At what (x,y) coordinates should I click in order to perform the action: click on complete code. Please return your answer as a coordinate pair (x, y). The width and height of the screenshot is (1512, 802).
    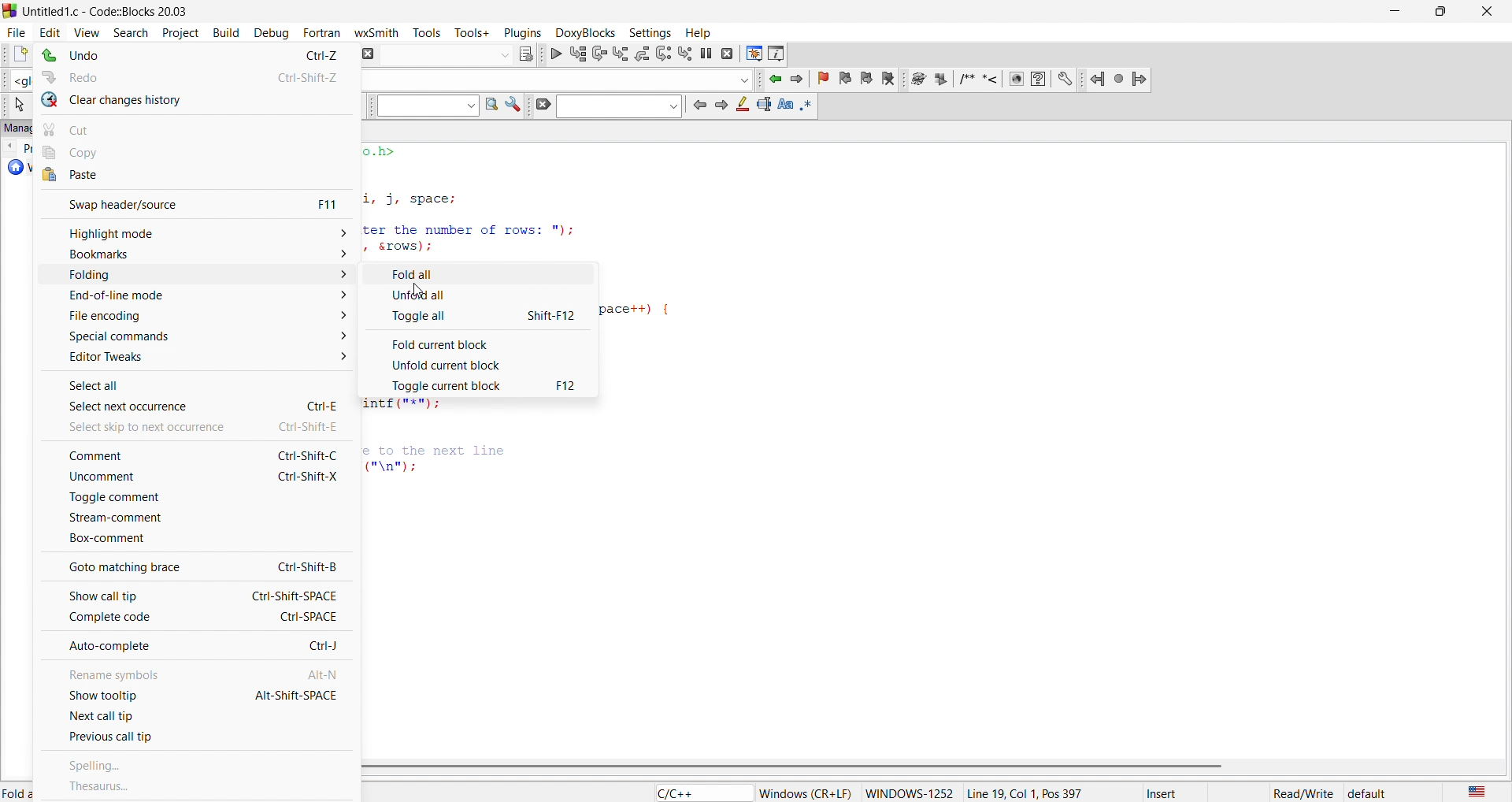
    Looking at the image, I should click on (196, 618).